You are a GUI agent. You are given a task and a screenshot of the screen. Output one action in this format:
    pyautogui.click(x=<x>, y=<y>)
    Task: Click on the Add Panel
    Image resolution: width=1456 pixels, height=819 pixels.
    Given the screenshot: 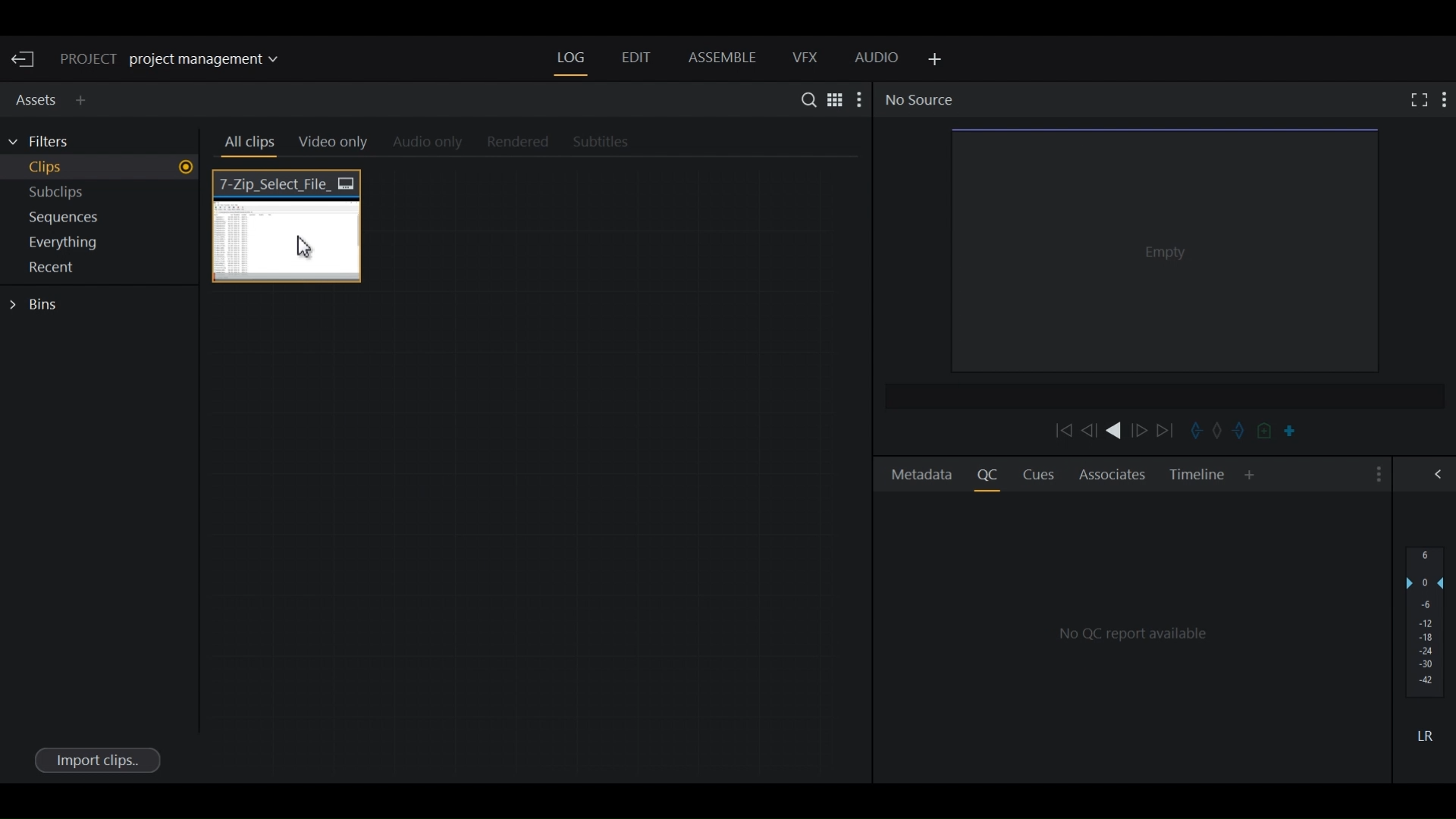 What is the action you would take?
    pyautogui.click(x=932, y=60)
    